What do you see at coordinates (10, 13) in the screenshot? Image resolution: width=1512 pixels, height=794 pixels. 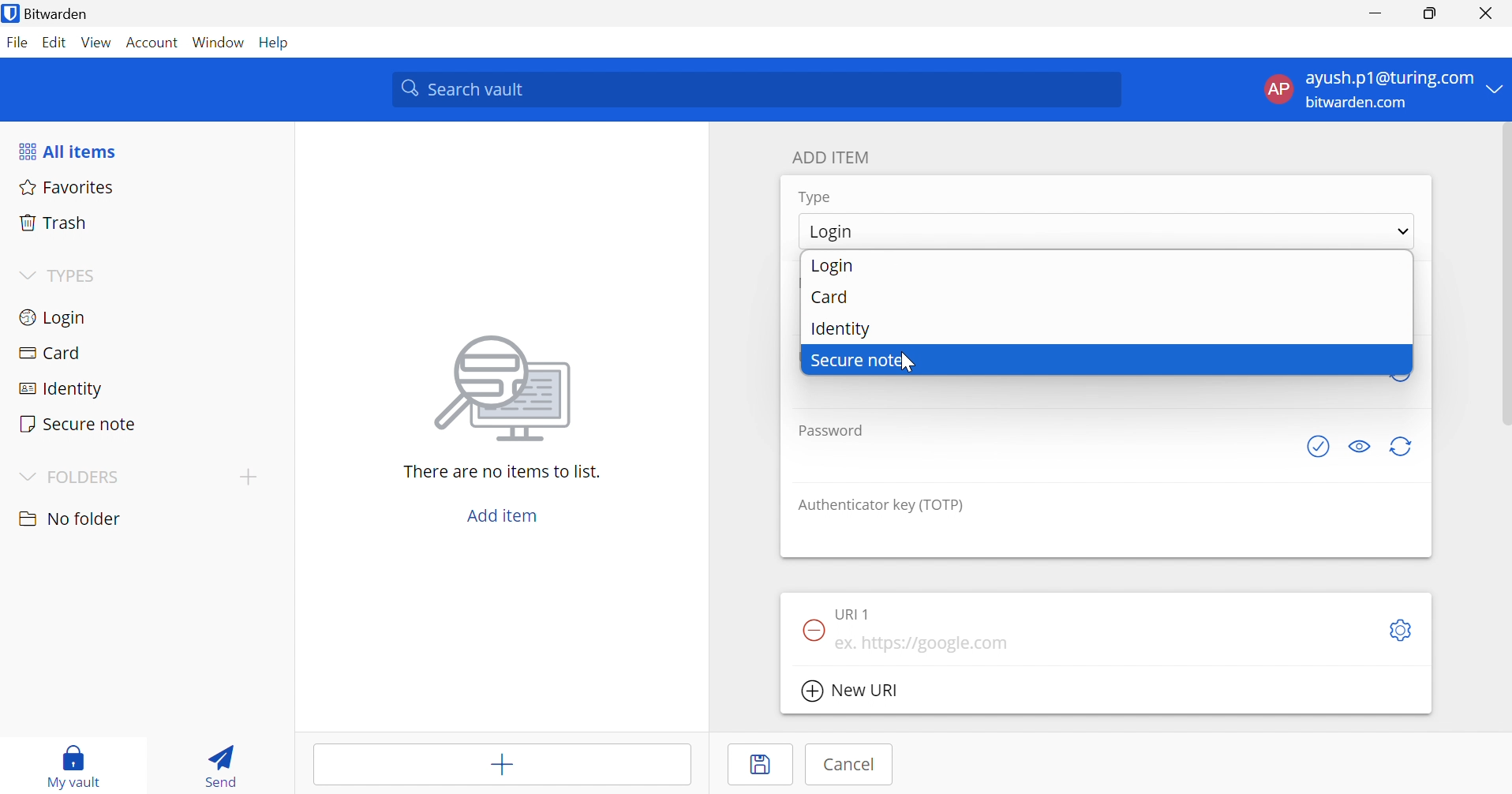 I see `bitwarden logo` at bounding box center [10, 13].